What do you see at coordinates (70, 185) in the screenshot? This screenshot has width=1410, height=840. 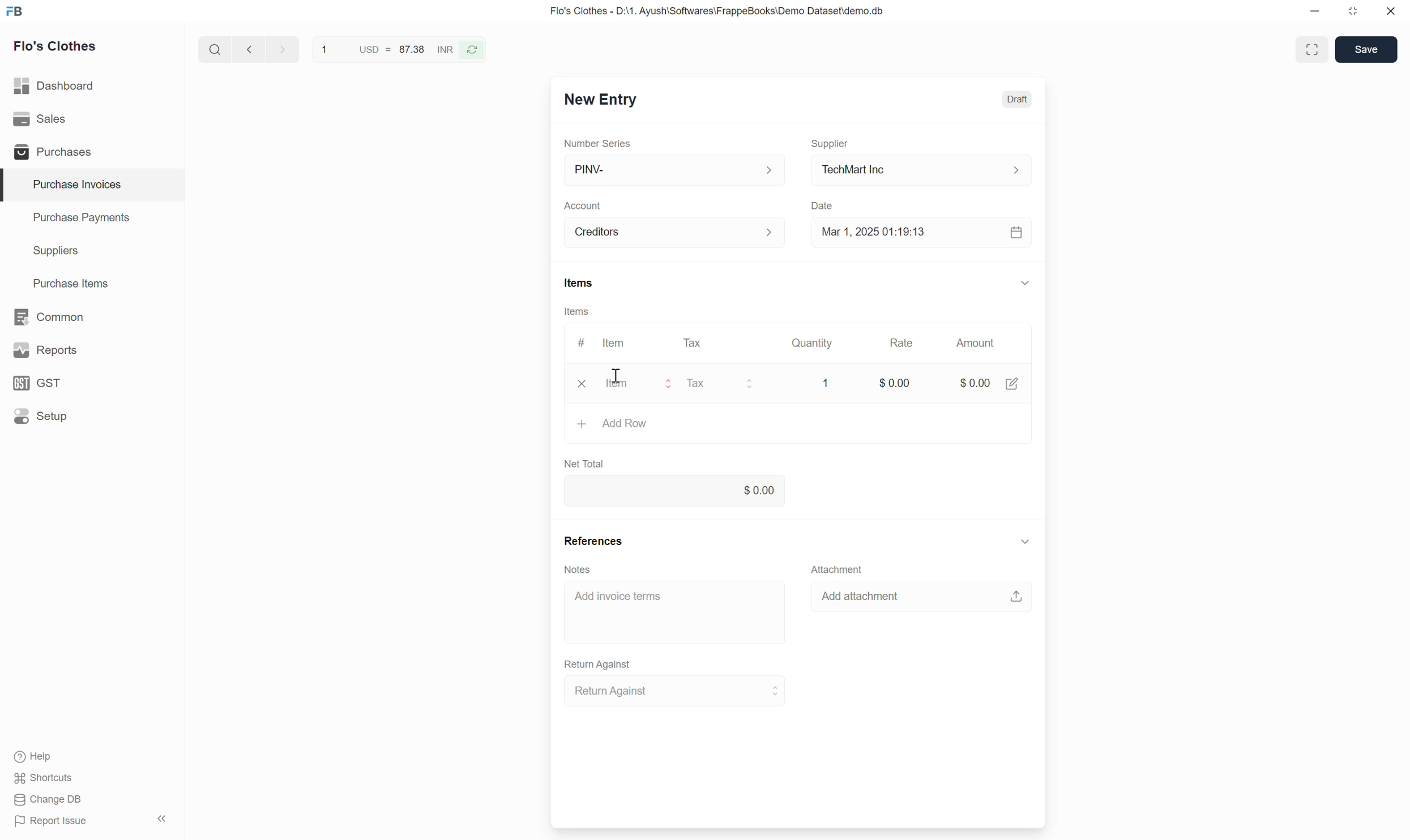 I see `Purchase Invoices` at bounding box center [70, 185].